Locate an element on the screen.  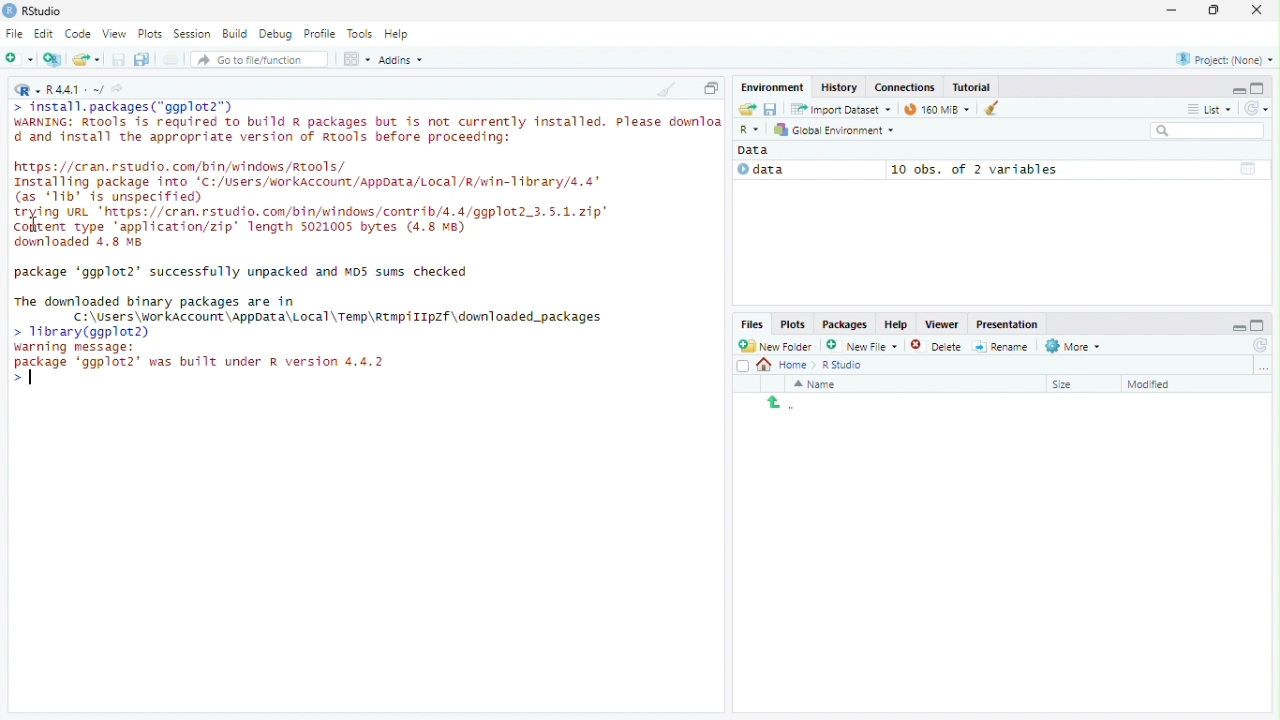
Code is located at coordinates (80, 34).